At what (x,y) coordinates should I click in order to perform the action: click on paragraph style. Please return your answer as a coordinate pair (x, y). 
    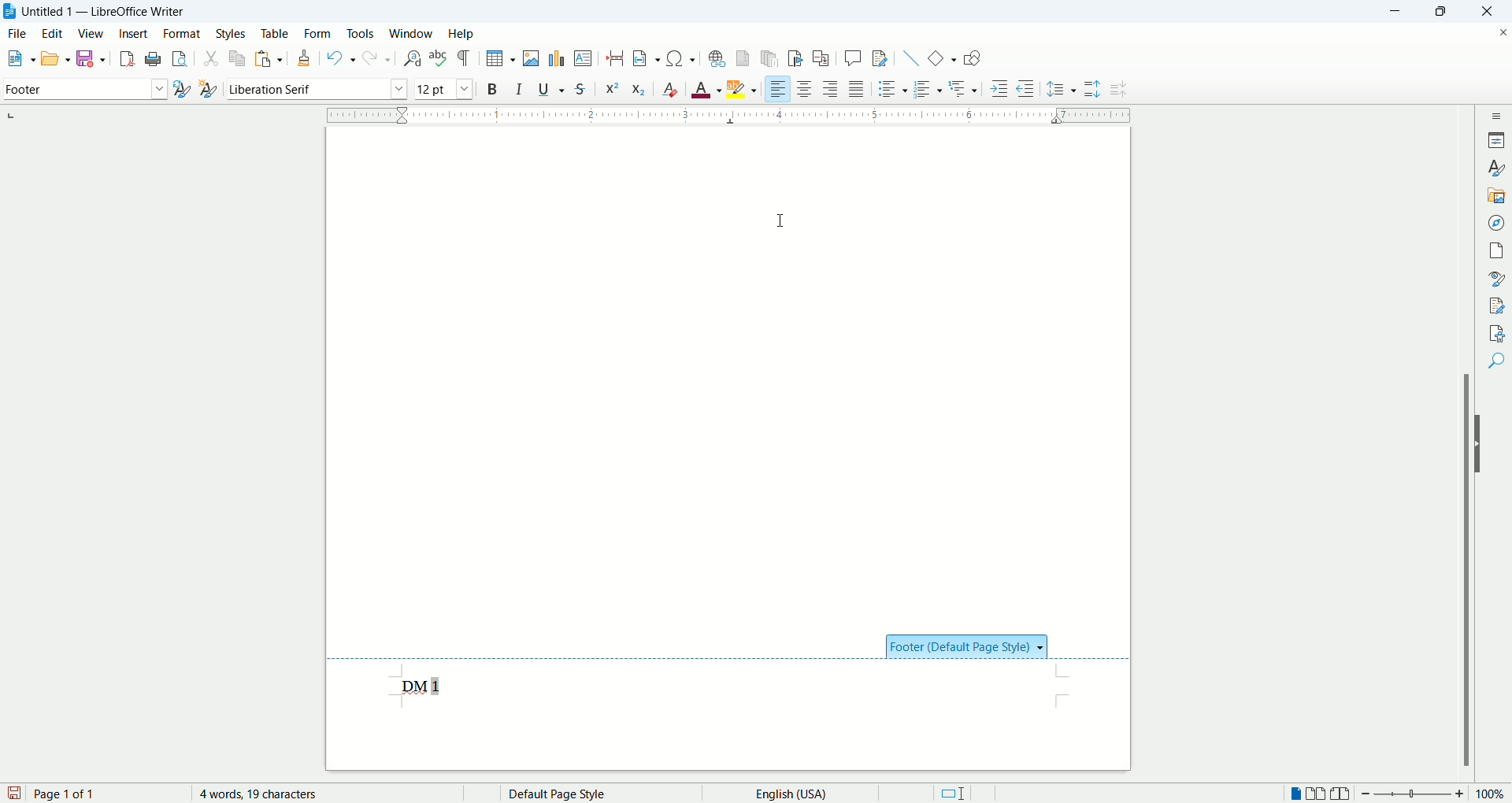
    Looking at the image, I should click on (82, 89).